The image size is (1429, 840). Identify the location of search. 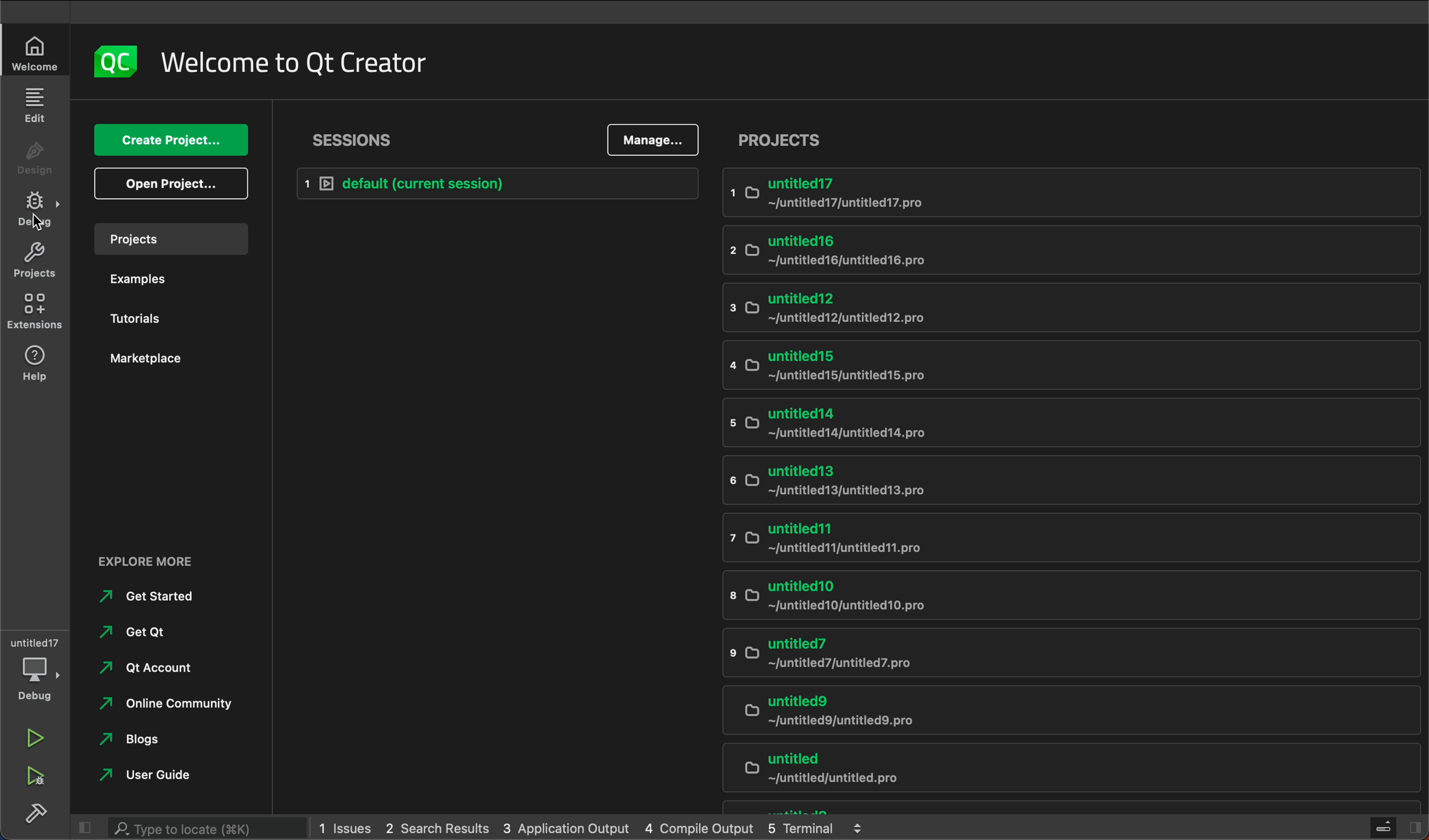
(185, 826).